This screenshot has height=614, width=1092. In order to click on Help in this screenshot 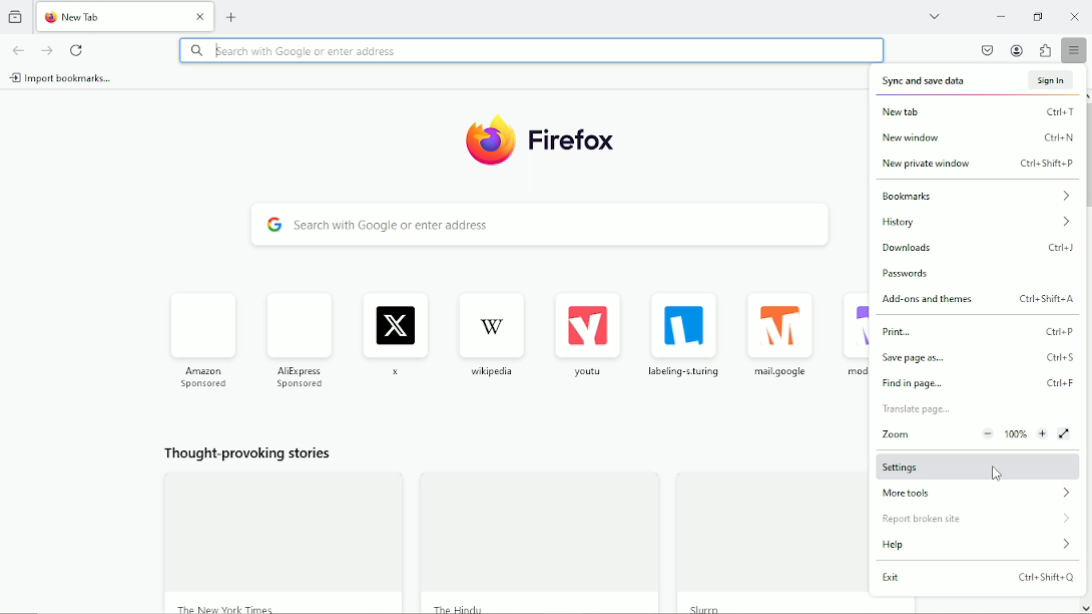, I will do `click(977, 546)`.